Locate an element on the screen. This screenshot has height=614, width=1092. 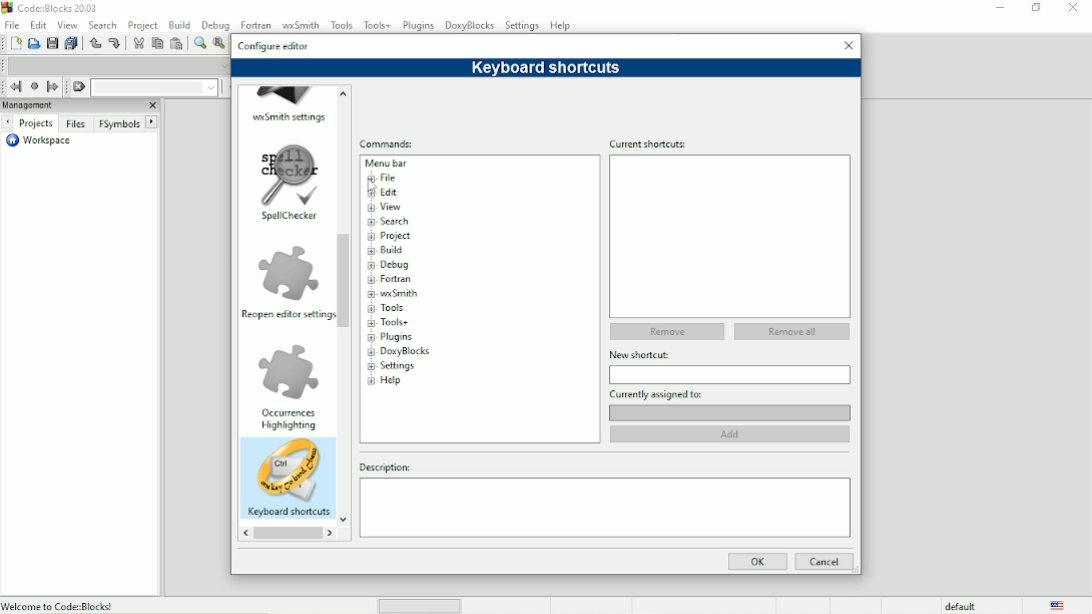
Close is located at coordinates (1073, 8).